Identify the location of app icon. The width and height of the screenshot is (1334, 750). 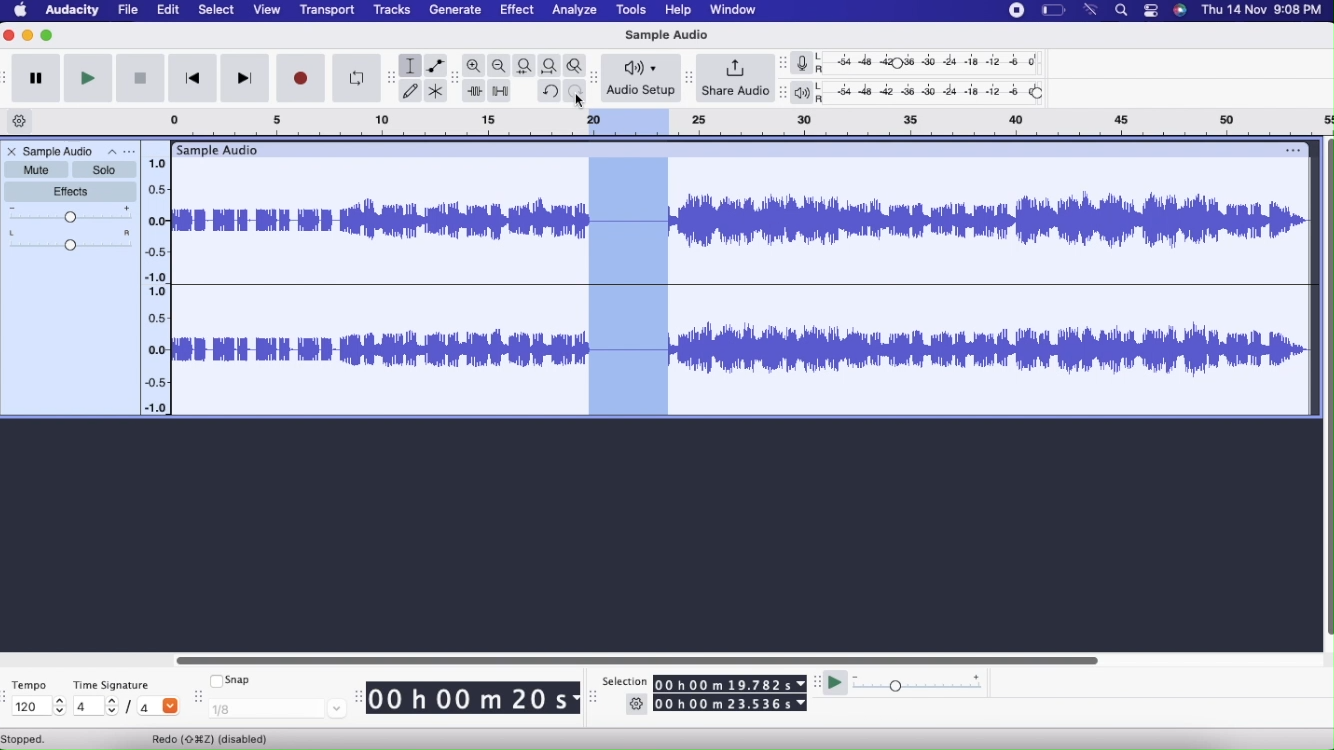
(1180, 10).